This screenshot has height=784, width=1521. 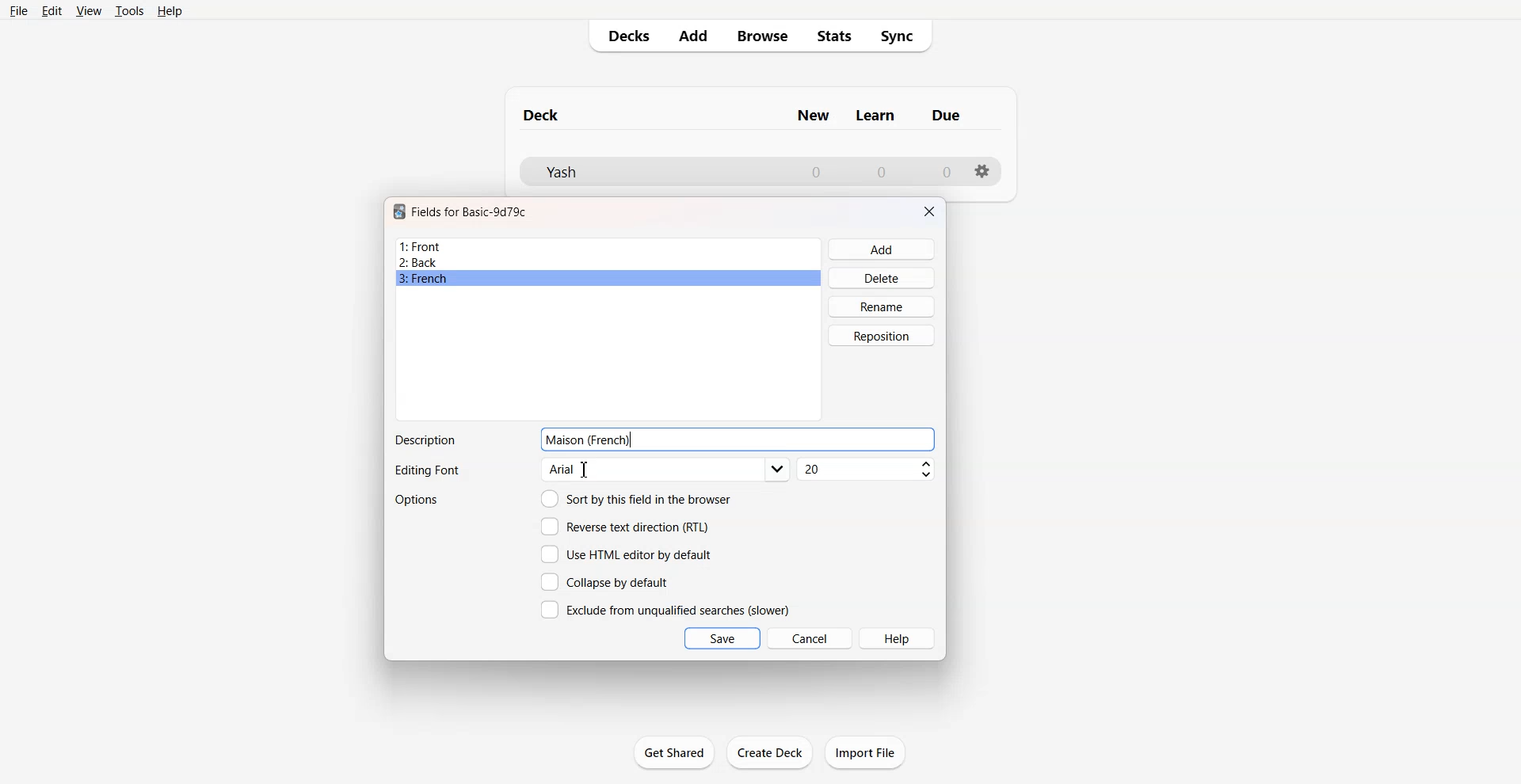 I want to click on Reverse text direction (RTL), so click(x=625, y=527).